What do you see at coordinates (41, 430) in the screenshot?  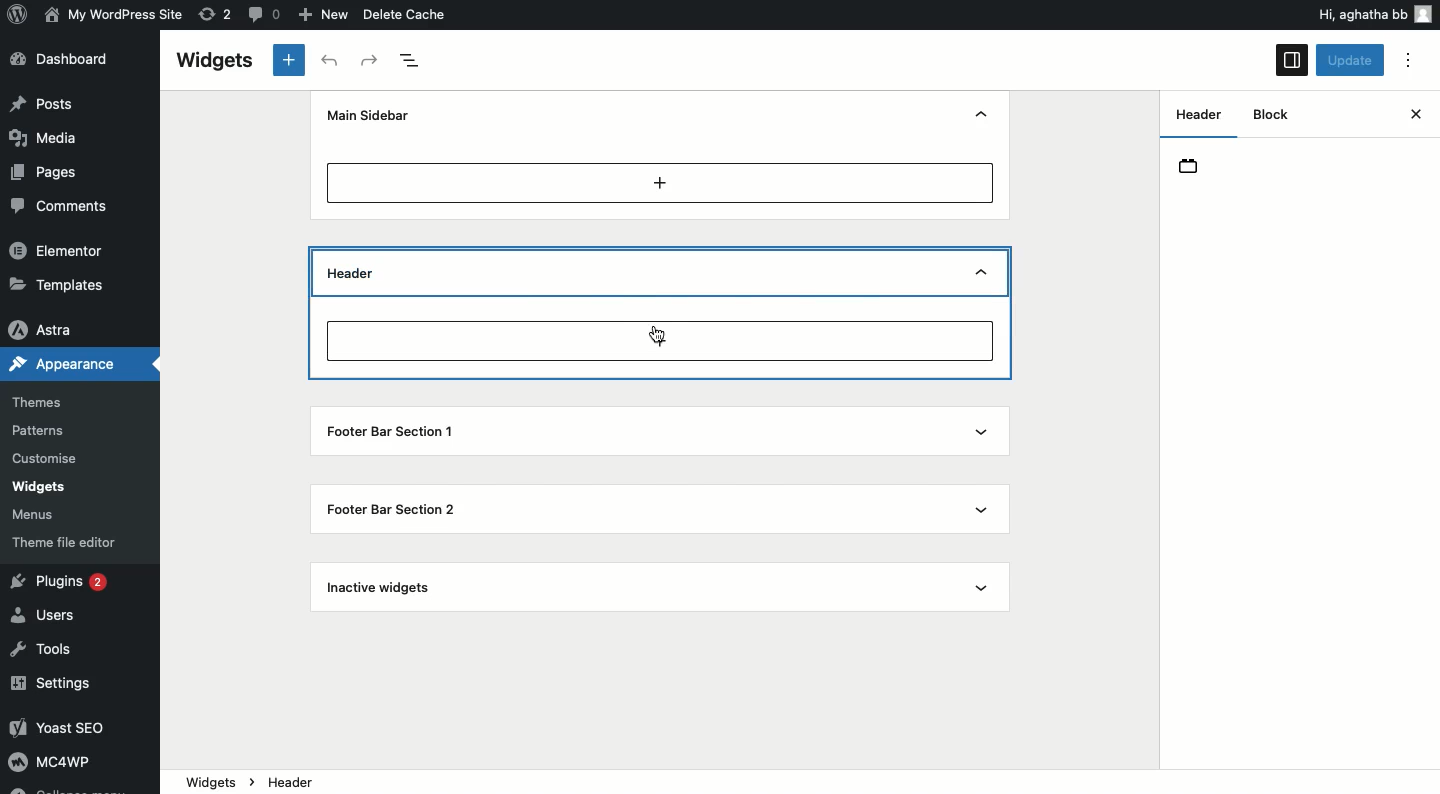 I see `Patterns` at bounding box center [41, 430].